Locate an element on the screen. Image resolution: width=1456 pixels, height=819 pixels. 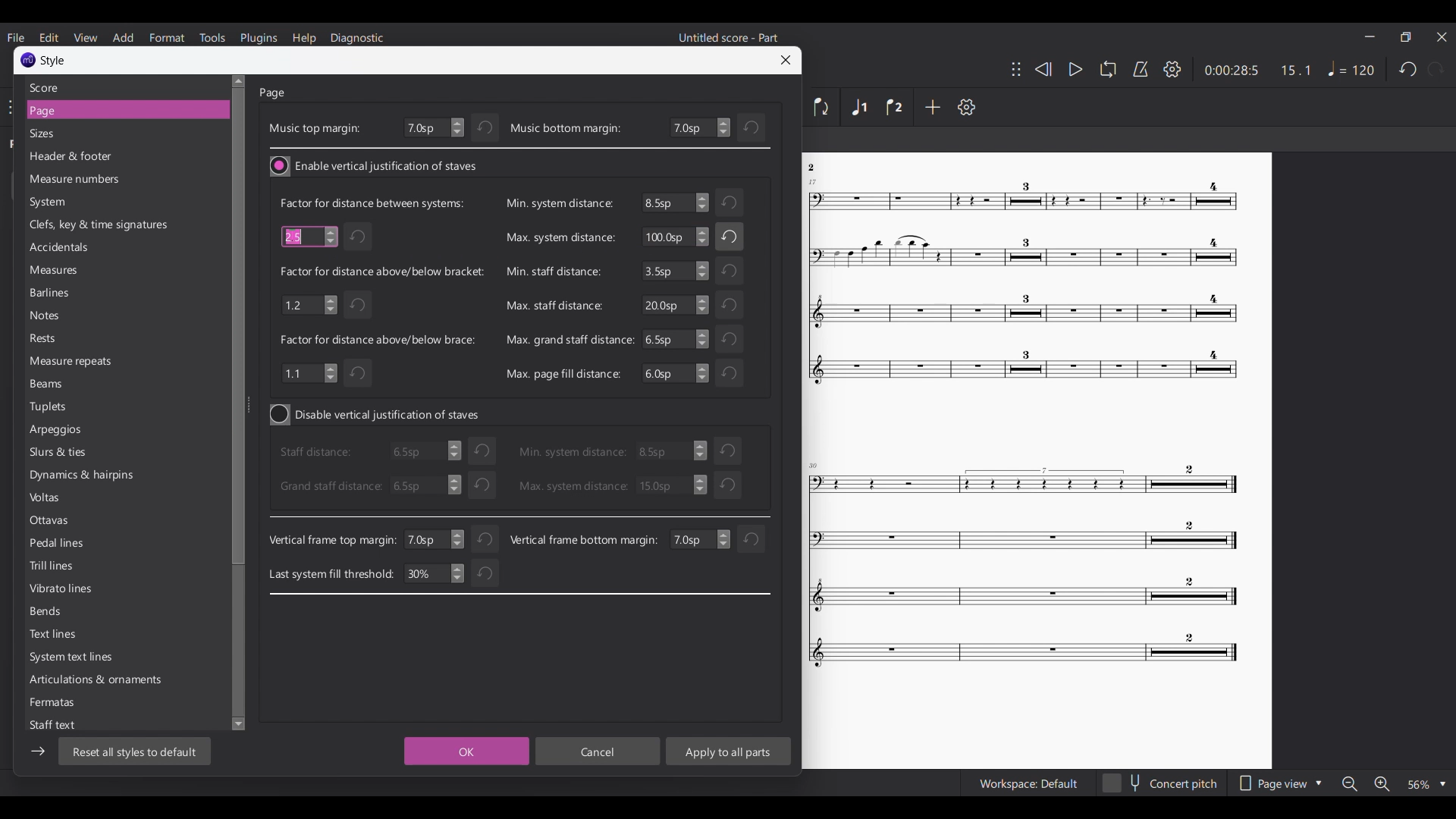
1.1 is located at coordinates (309, 372).